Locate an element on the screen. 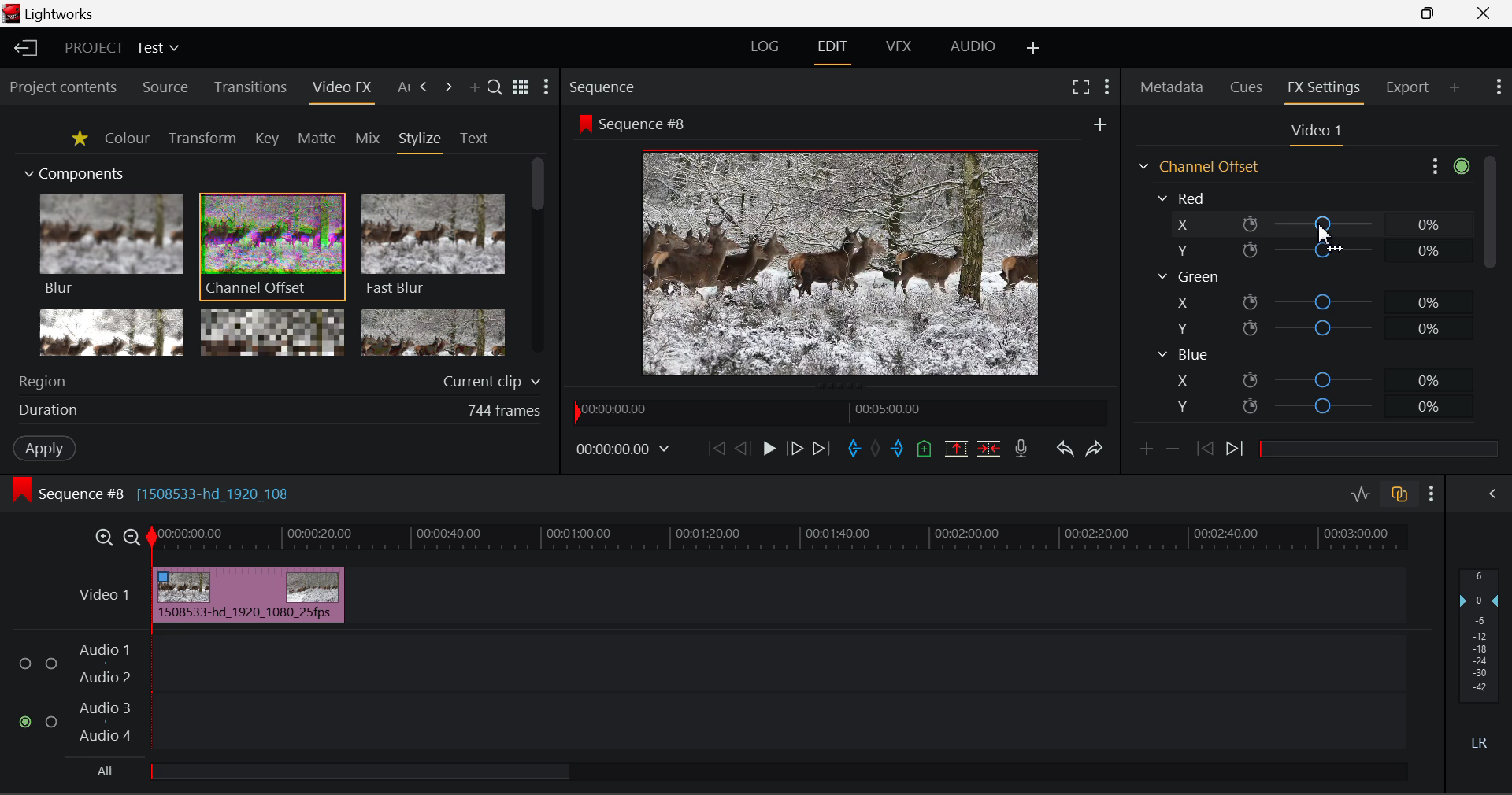 The height and width of the screenshot is (795, 1512). Sequence Preview Screen is located at coordinates (842, 244).